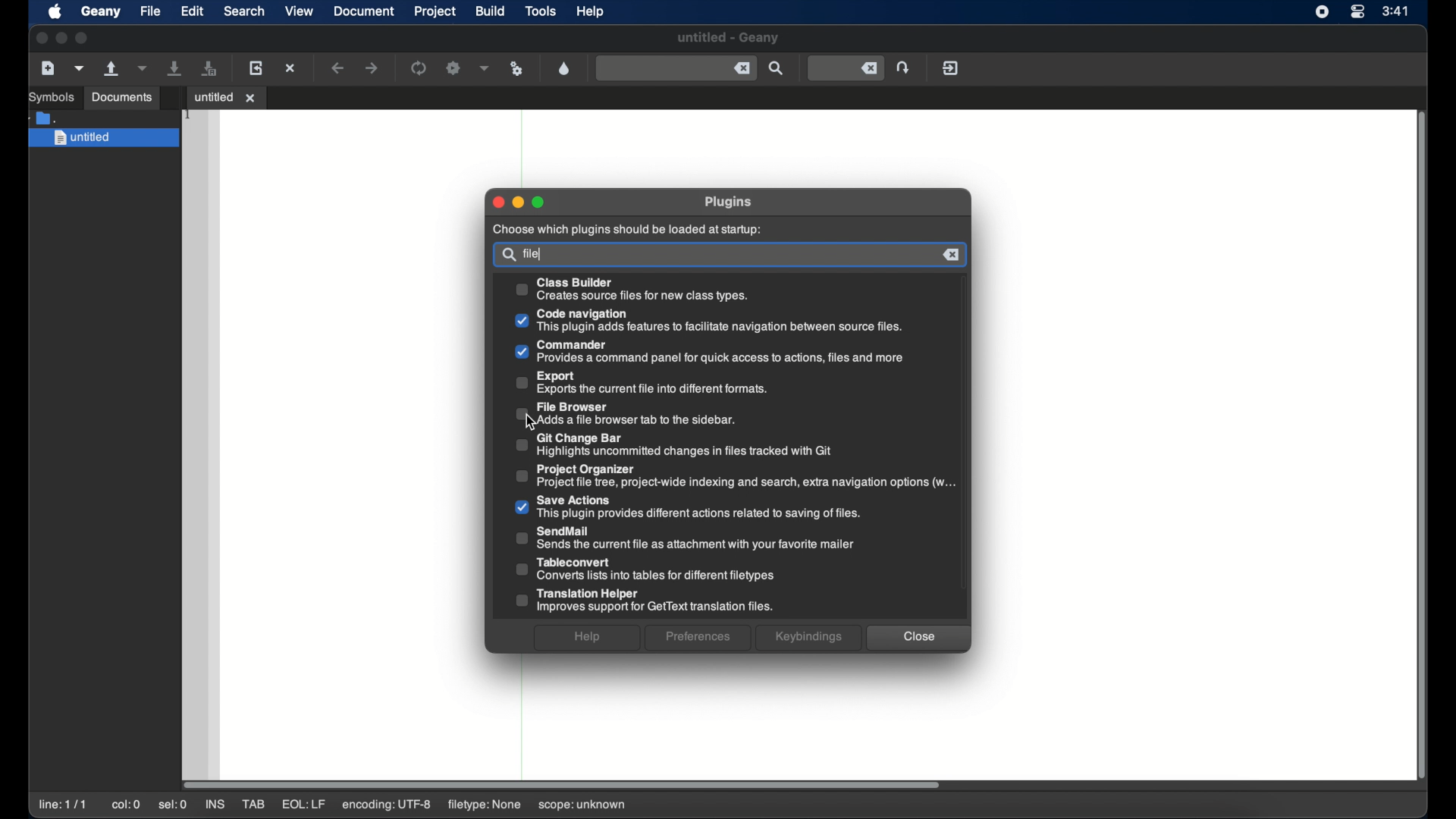 This screenshot has height=819, width=1456. What do you see at coordinates (736, 475) in the screenshot?
I see `project organizer` at bounding box center [736, 475].